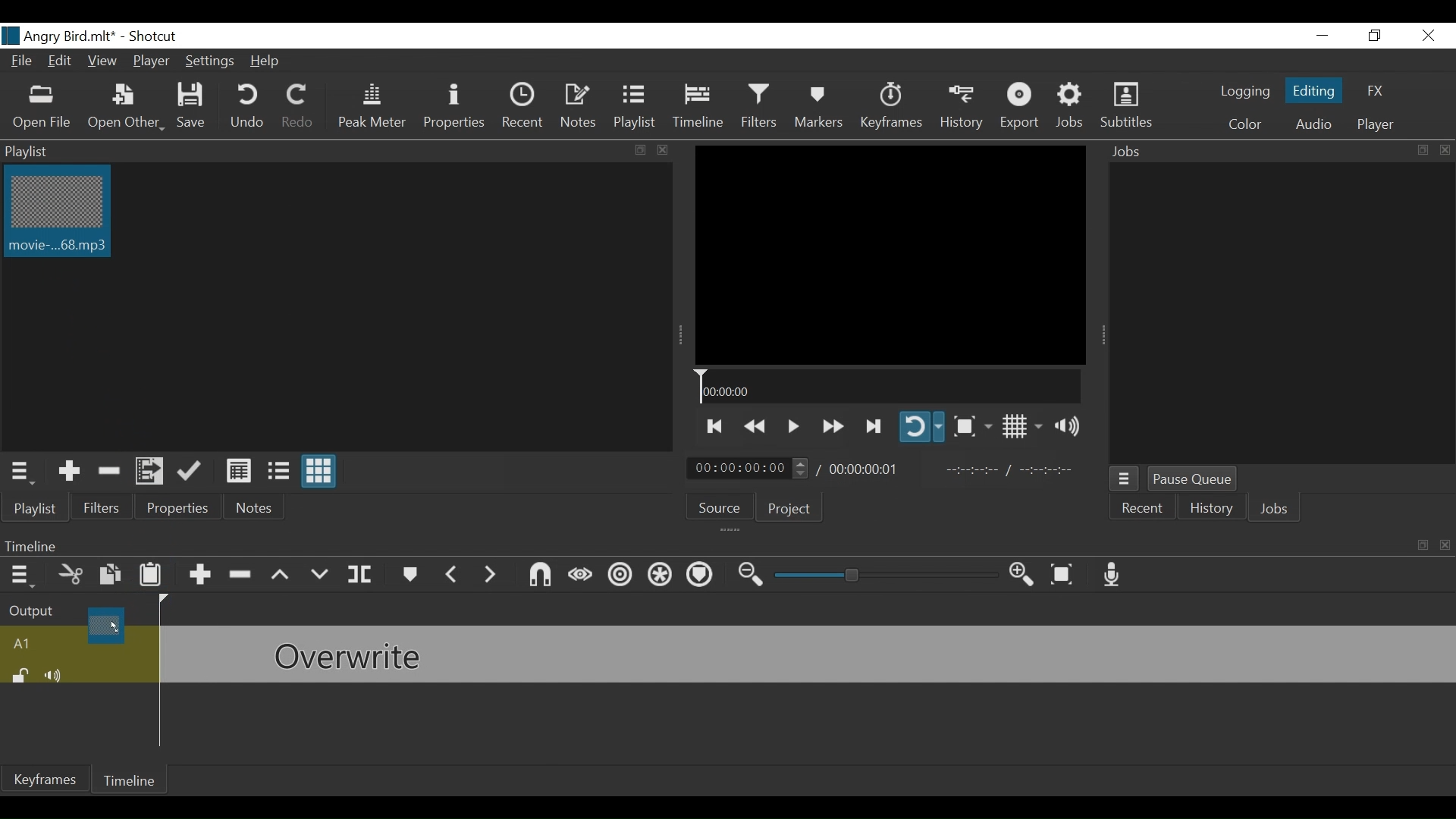 The image size is (1456, 819). What do you see at coordinates (748, 576) in the screenshot?
I see `Zoom timeline out` at bounding box center [748, 576].